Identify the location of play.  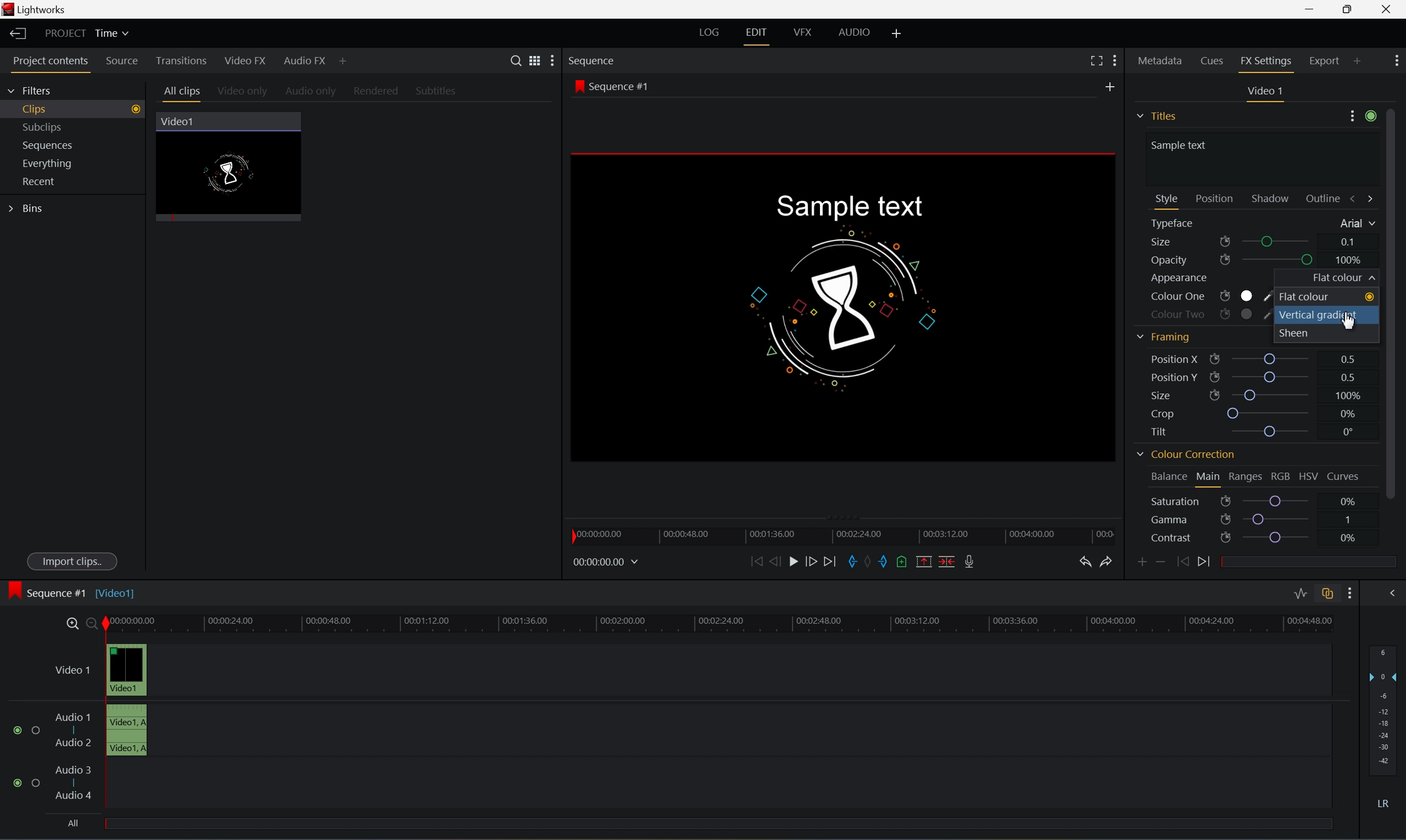
(797, 562).